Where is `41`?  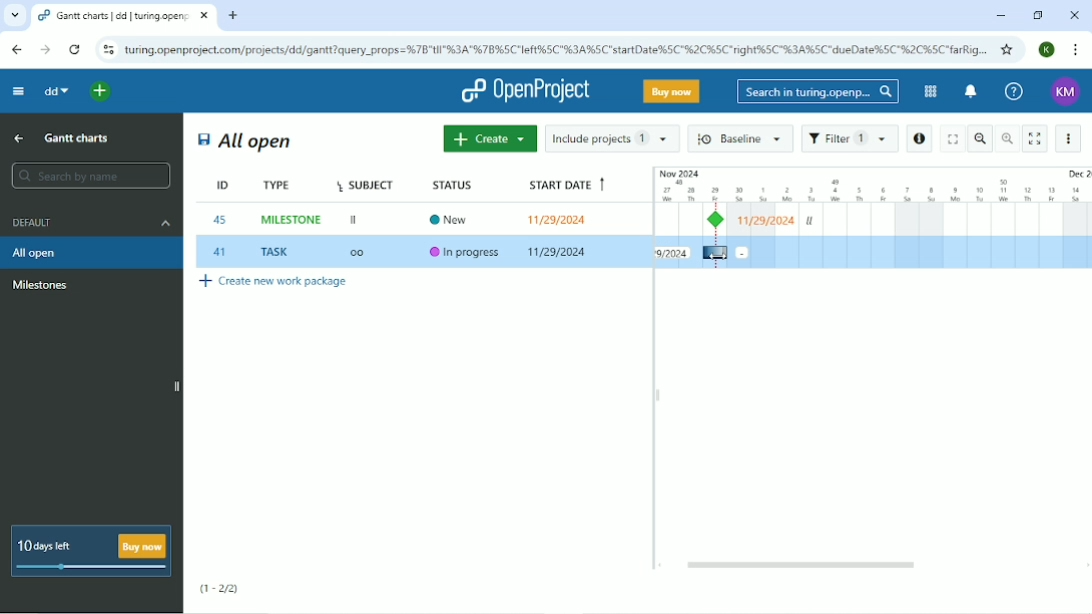
41 is located at coordinates (220, 252).